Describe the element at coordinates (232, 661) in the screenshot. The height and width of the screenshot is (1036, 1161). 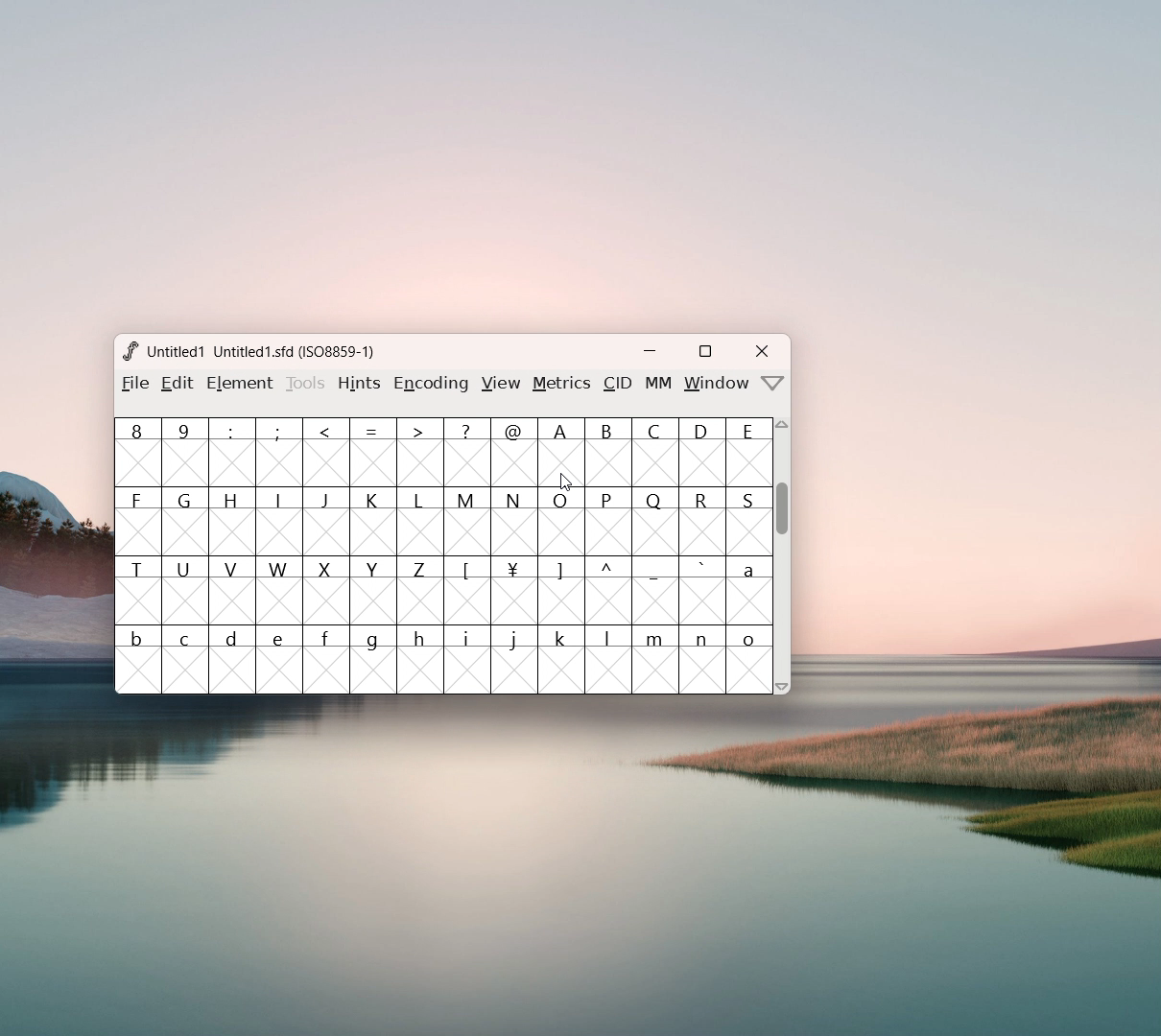
I see `d` at that location.